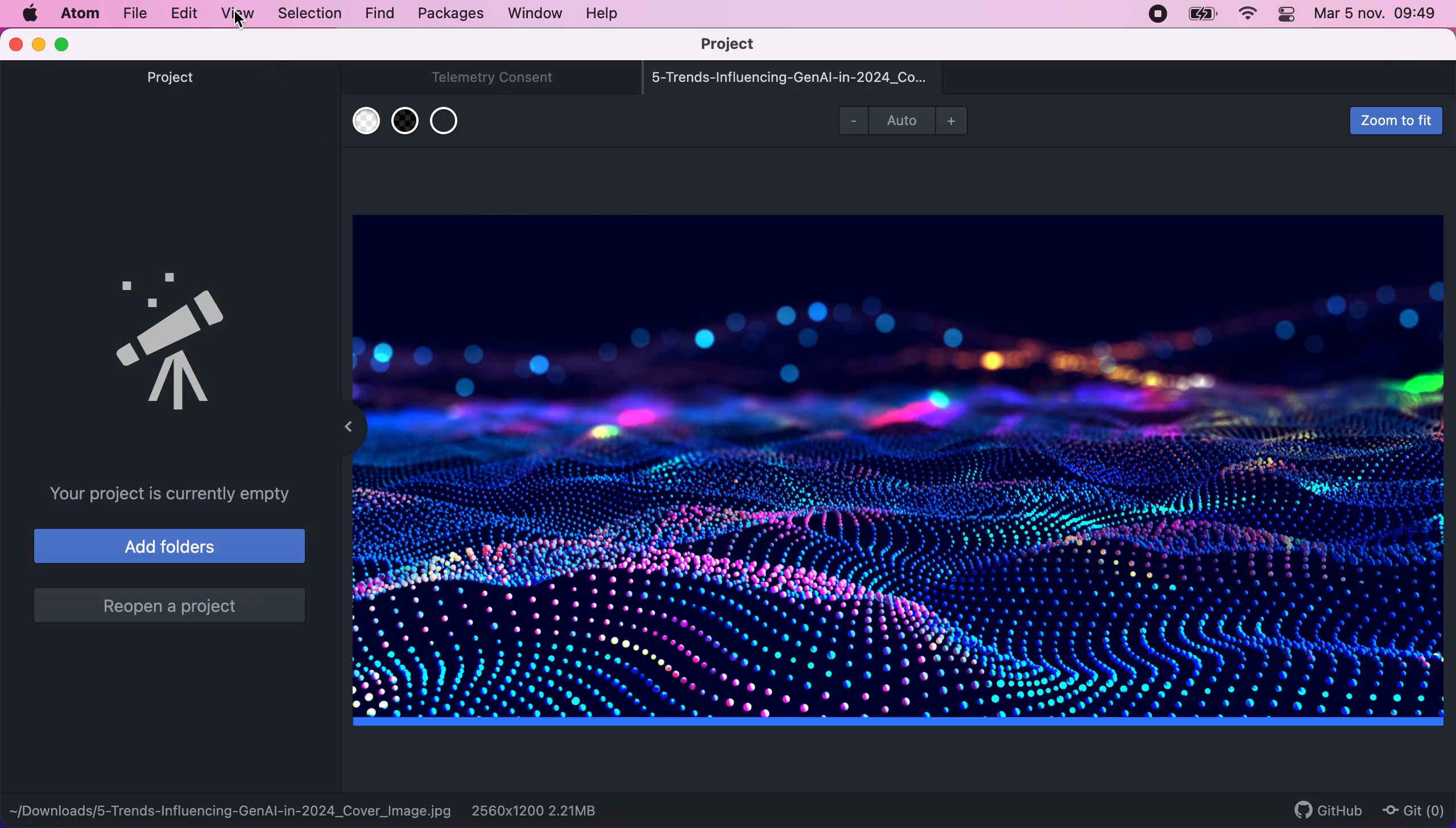 Image resolution: width=1456 pixels, height=828 pixels. I want to click on project, so click(185, 79).